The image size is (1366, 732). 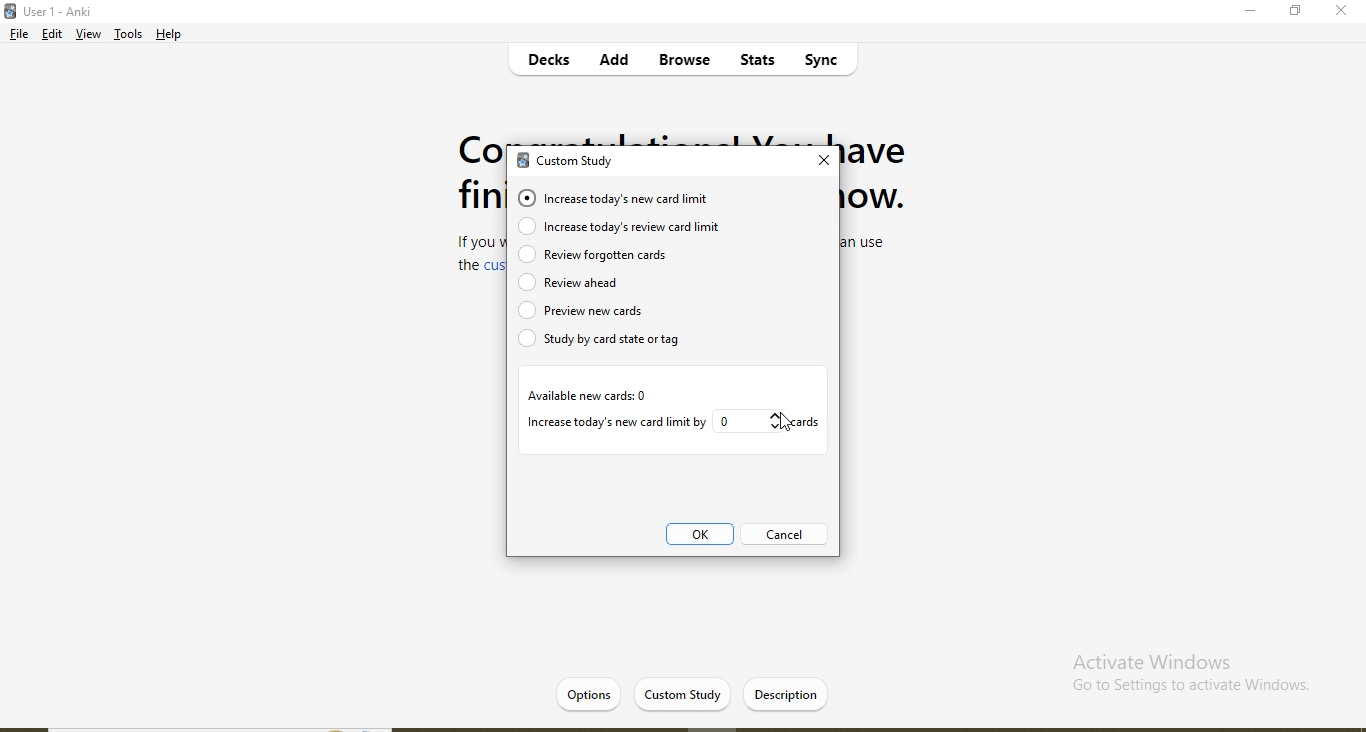 I want to click on file, so click(x=17, y=36).